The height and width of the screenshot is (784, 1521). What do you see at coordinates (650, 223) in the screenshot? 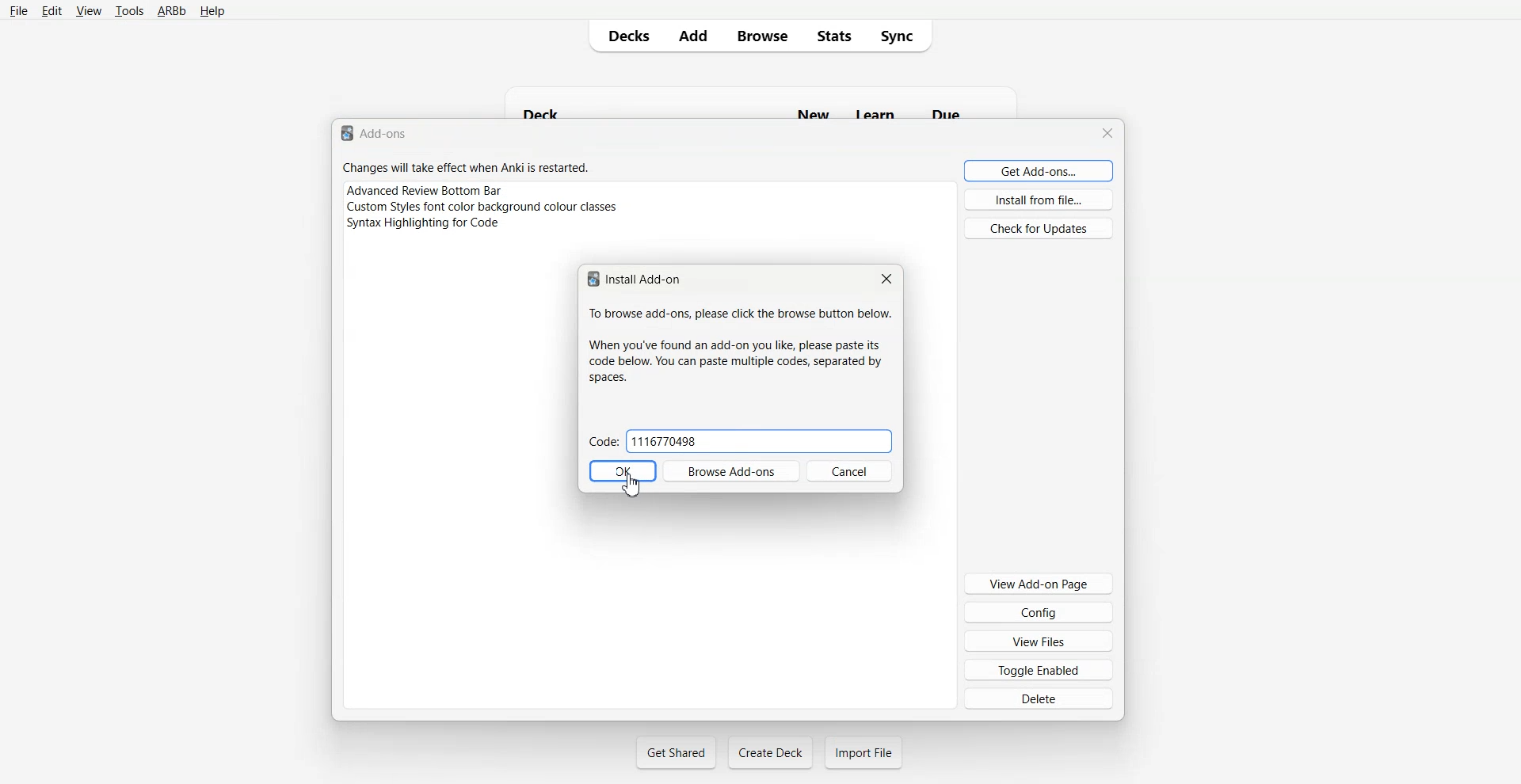
I see `Syntax Highlight for code` at bounding box center [650, 223].